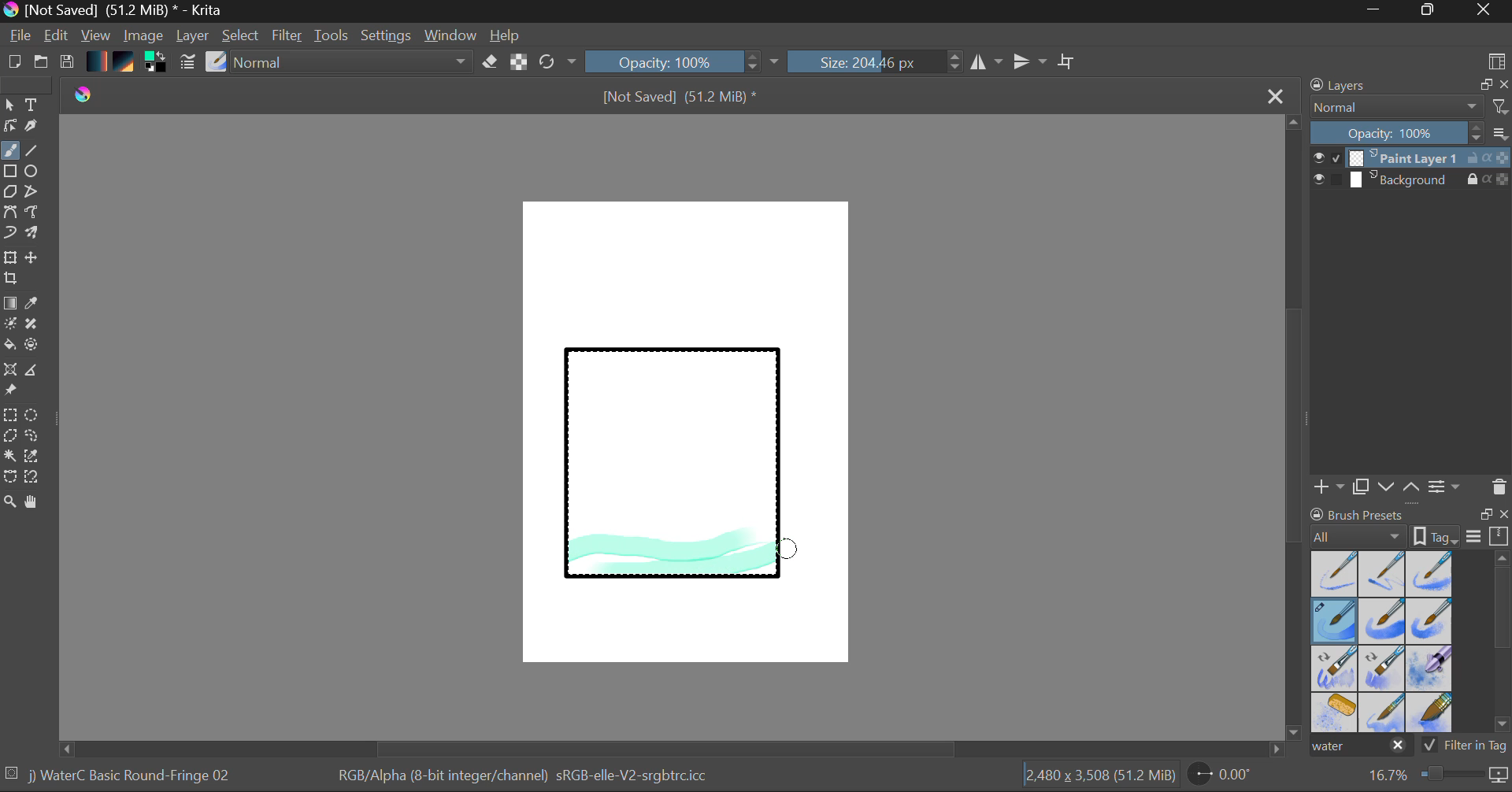 This screenshot has width=1512, height=792. What do you see at coordinates (1445, 486) in the screenshot?
I see `Layer Settings` at bounding box center [1445, 486].